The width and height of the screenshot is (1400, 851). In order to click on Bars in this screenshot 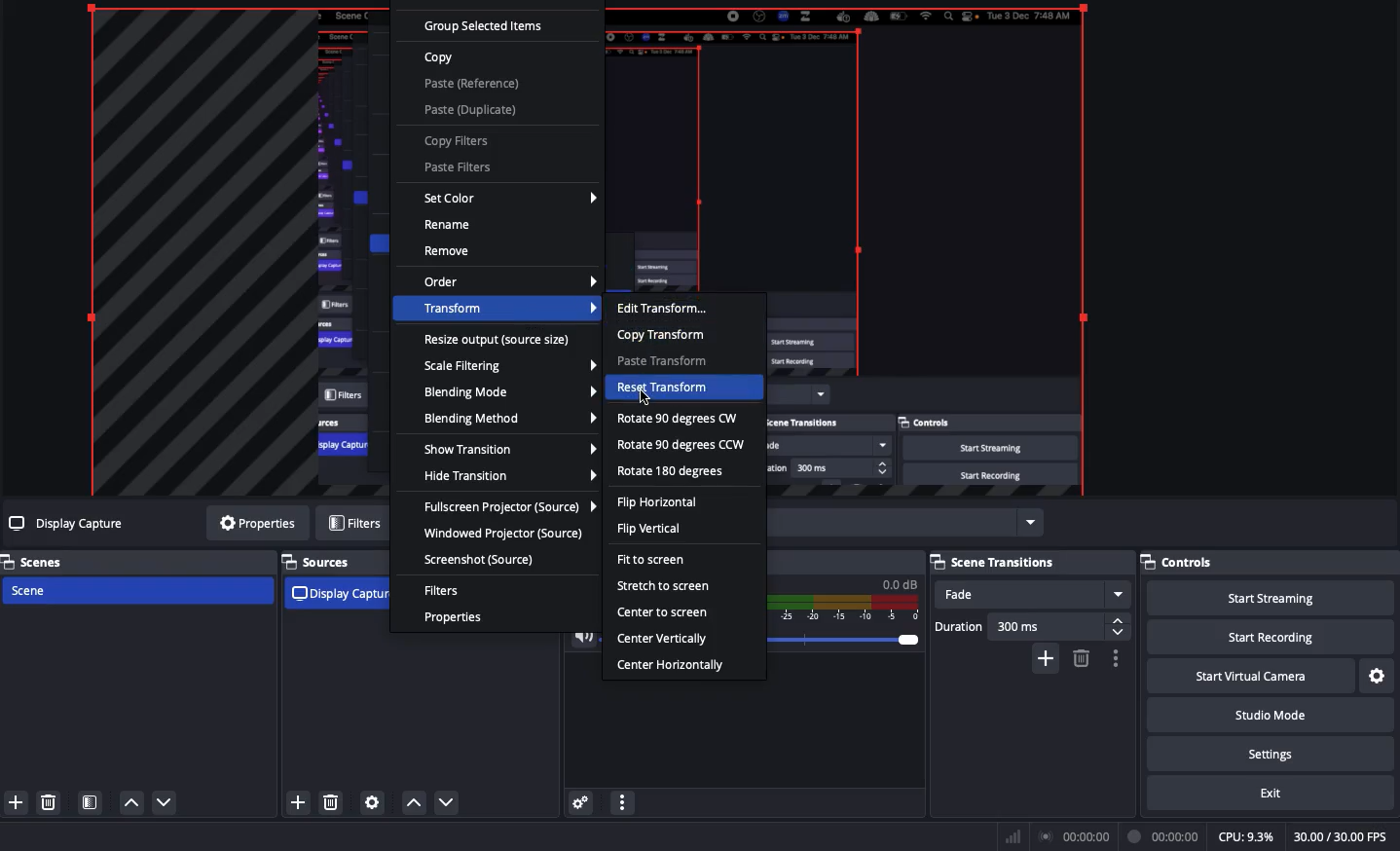, I will do `click(1013, 836)`.